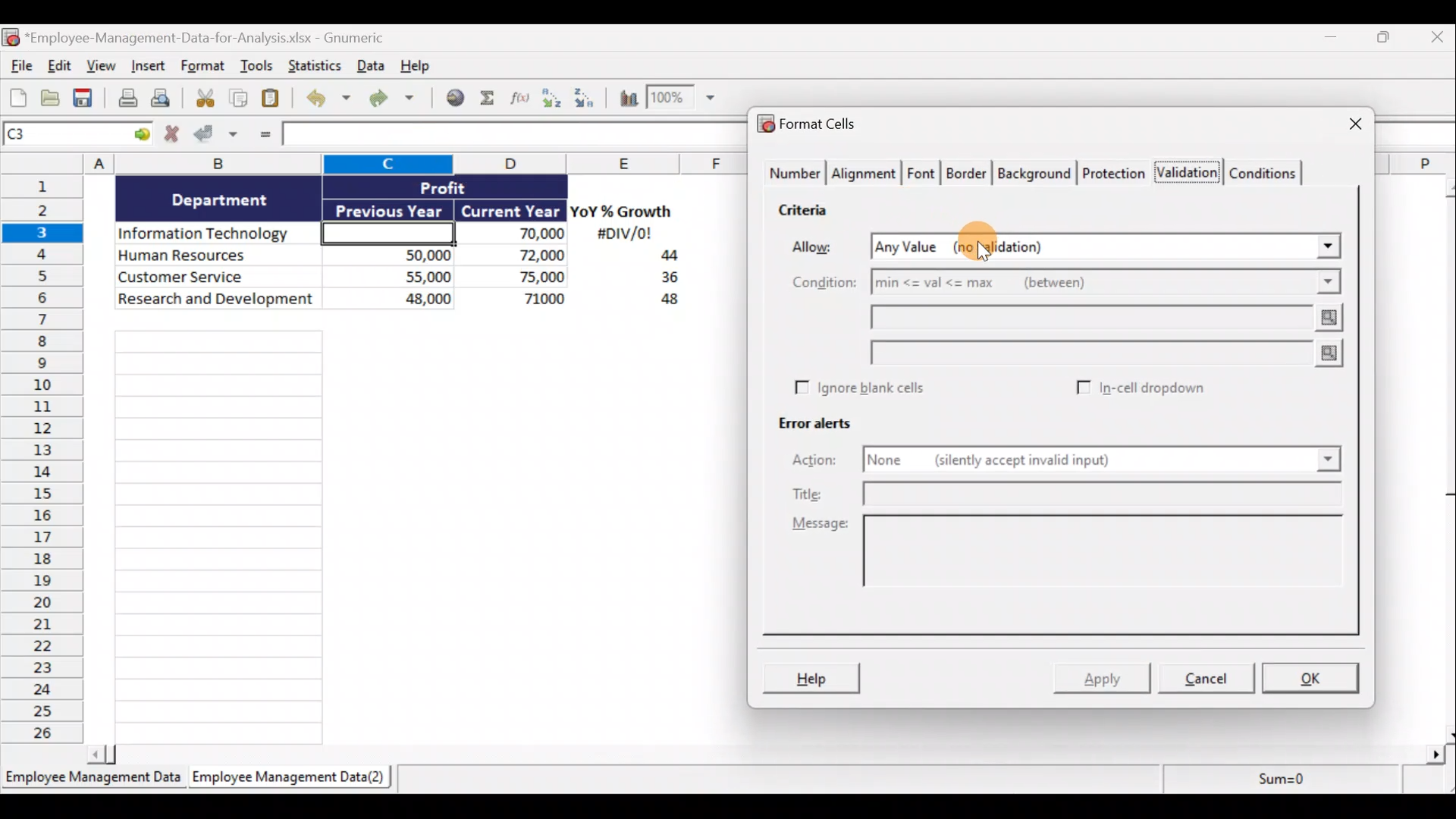  I want to click on Sort descending, so click(582, 96).